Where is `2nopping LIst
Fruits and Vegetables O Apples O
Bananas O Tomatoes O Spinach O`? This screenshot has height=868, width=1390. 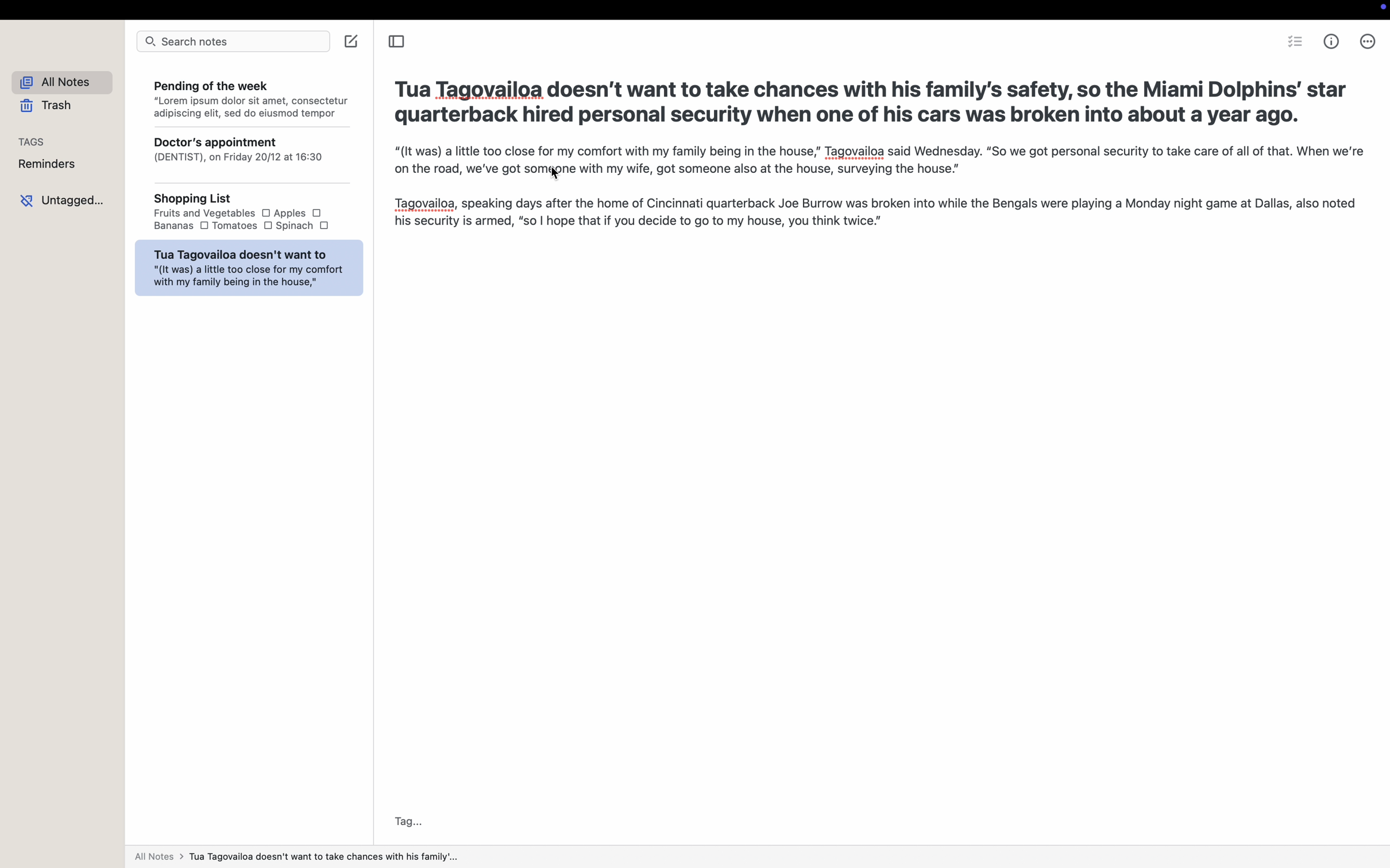 2nopping LIst
Fruits and Vegetables O Apples O
Bananas O Tomatoes O Spinach O is located at coordinates (247, 214).